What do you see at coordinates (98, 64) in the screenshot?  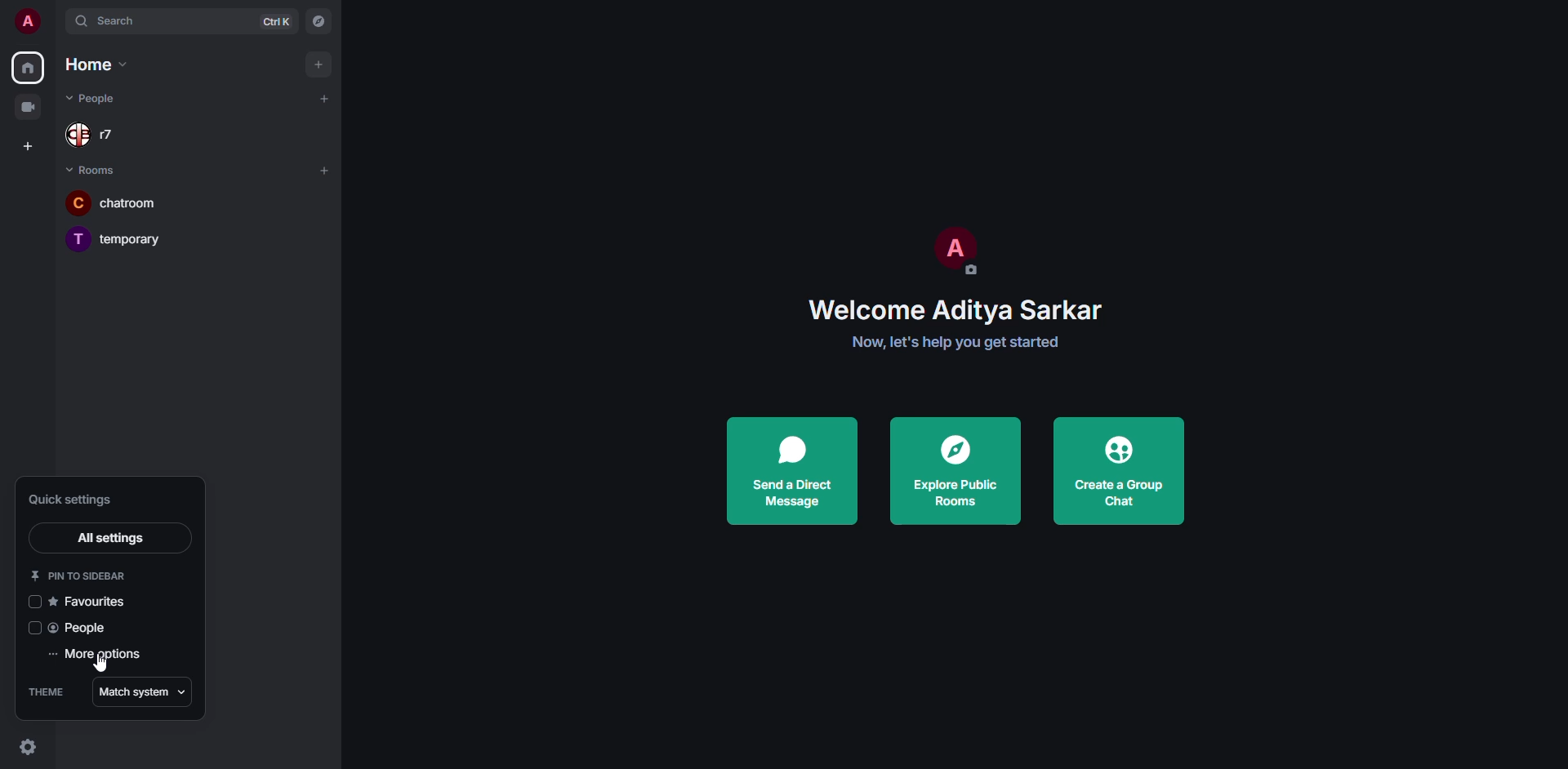 I see `home` at bounding box center [98, 64].